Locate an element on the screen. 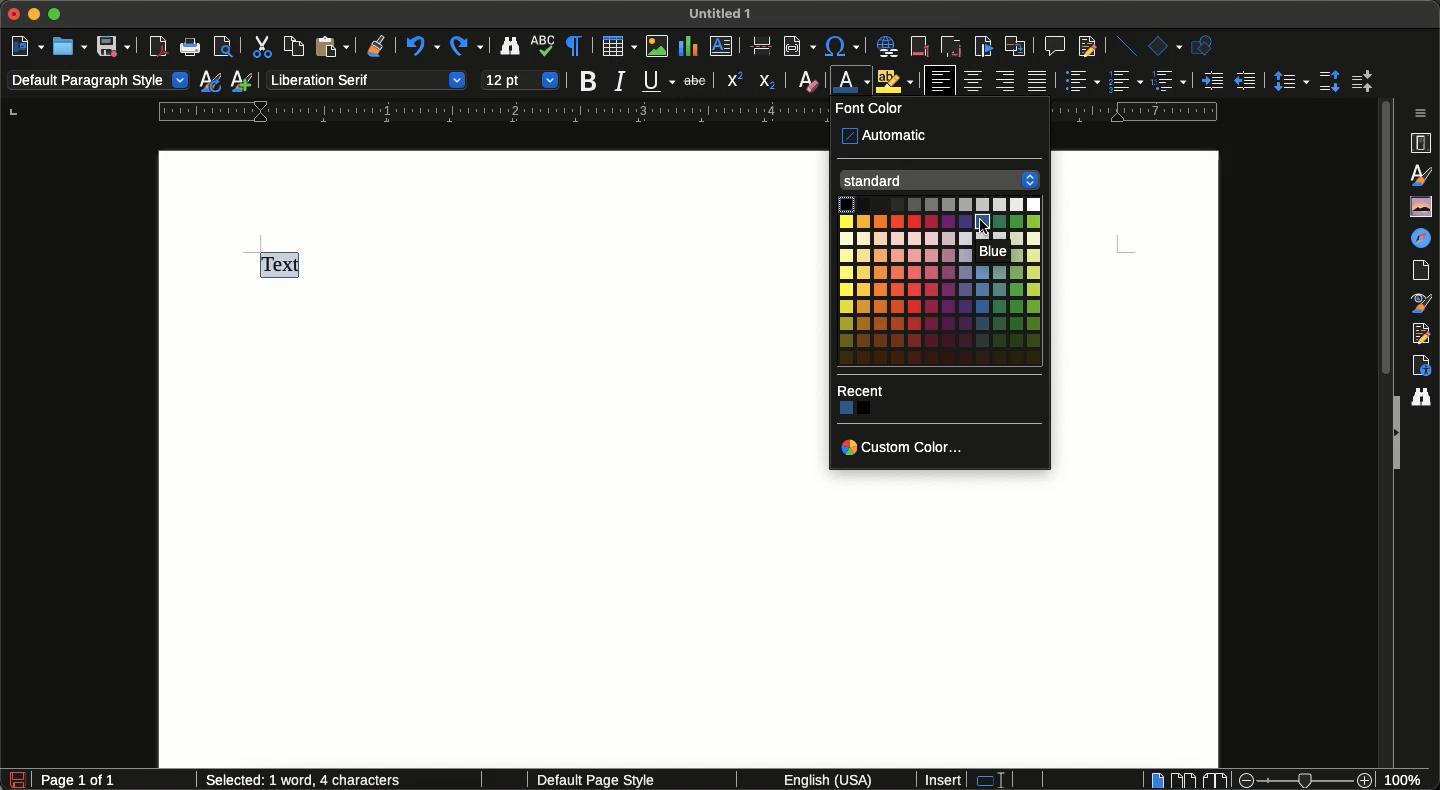 This screenshot has width=1440, height=790. Manage changes is located at coordinates (1425, 333).